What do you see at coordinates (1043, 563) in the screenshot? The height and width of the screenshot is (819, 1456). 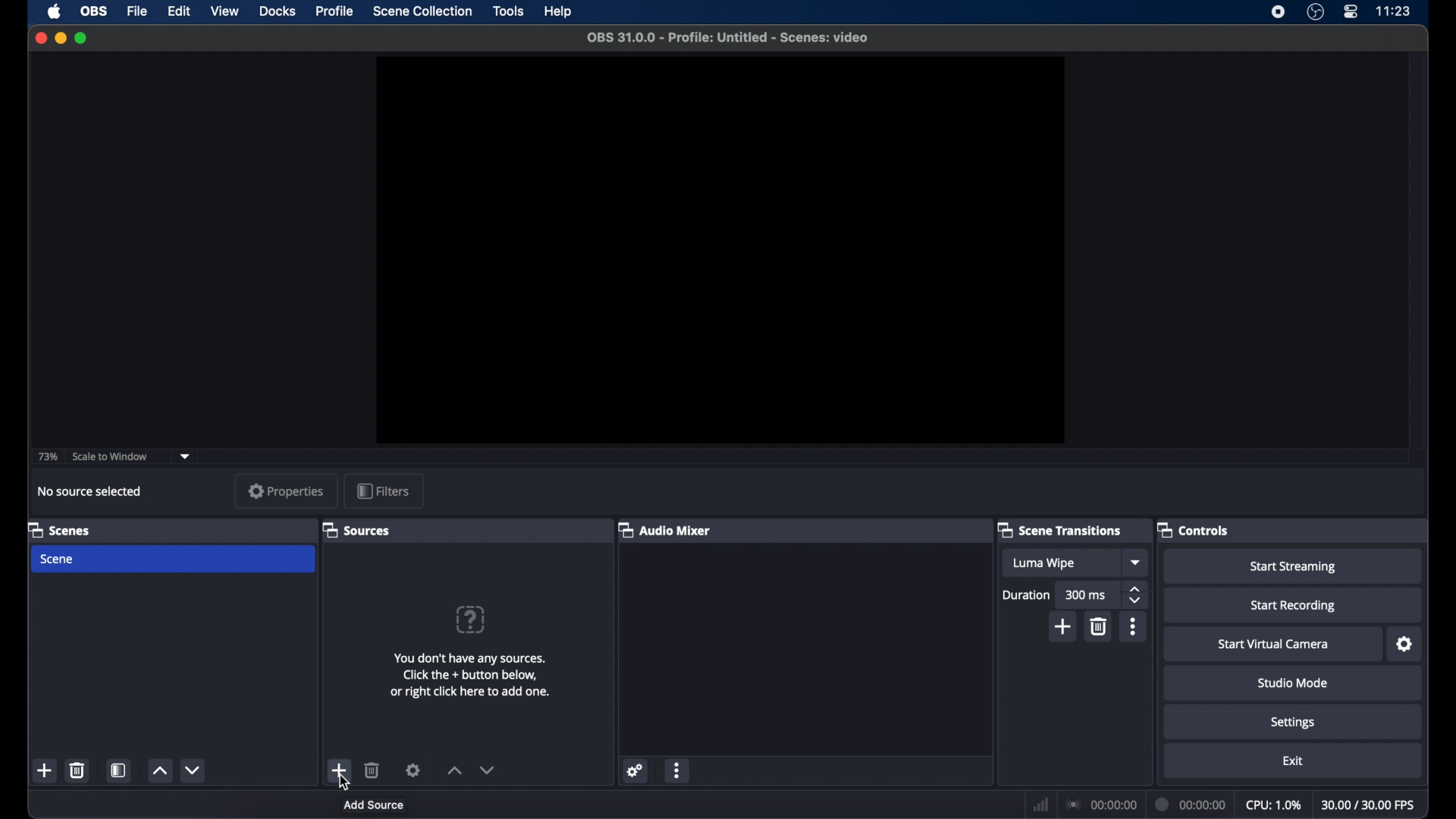 I see `luma wipe` at bounding box center [1043, 563].